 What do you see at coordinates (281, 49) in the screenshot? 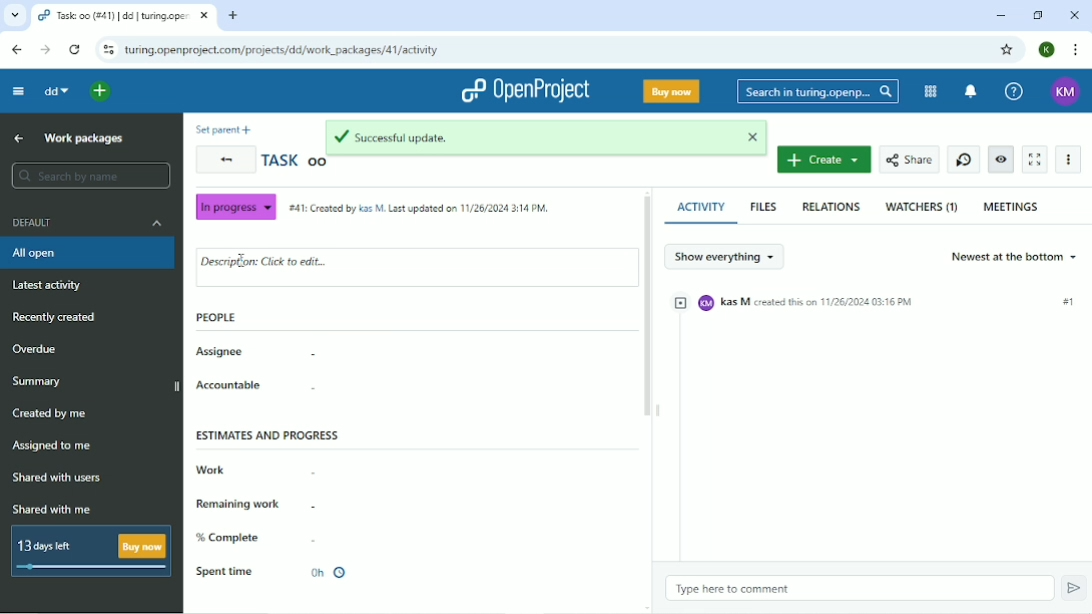
I see `turing.openproject.com/projects/dd/work_packages/42/activity` at bounding box center [281, 49].